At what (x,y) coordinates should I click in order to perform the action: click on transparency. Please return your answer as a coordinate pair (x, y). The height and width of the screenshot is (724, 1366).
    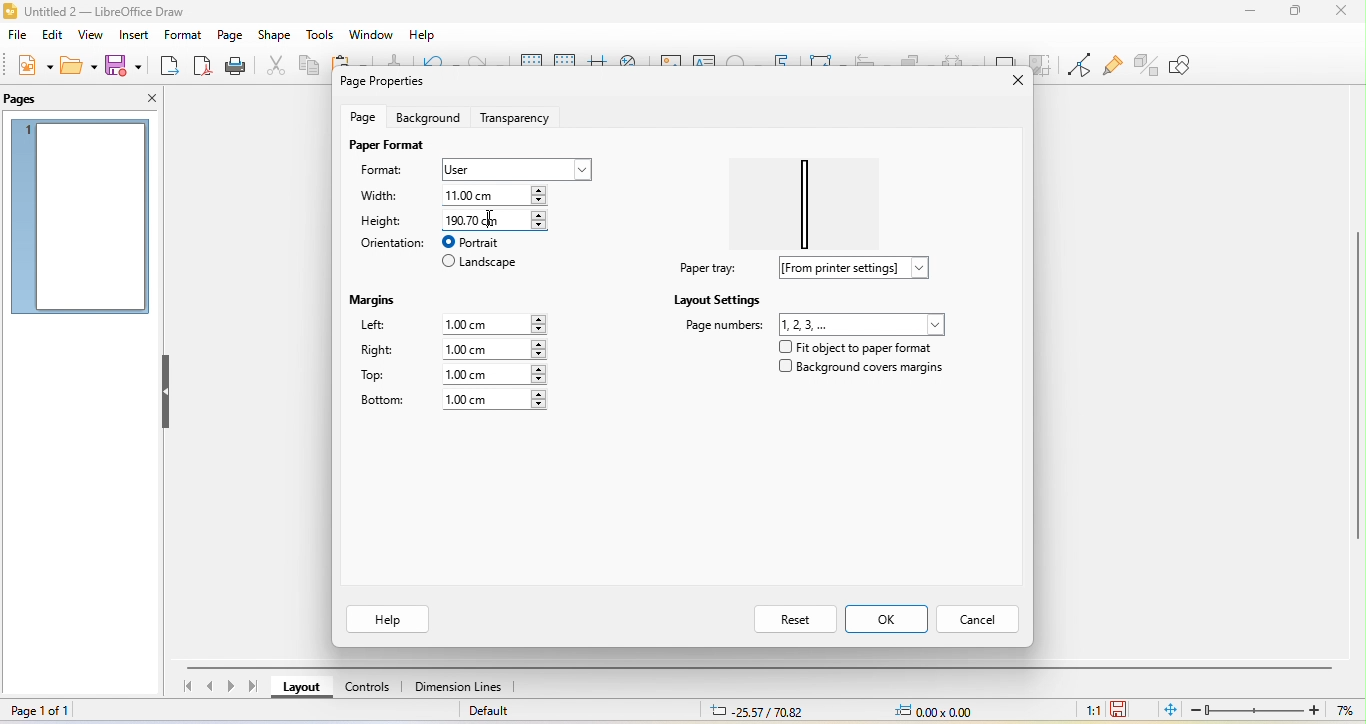
    Looking at the image, I should click on (520, 115).